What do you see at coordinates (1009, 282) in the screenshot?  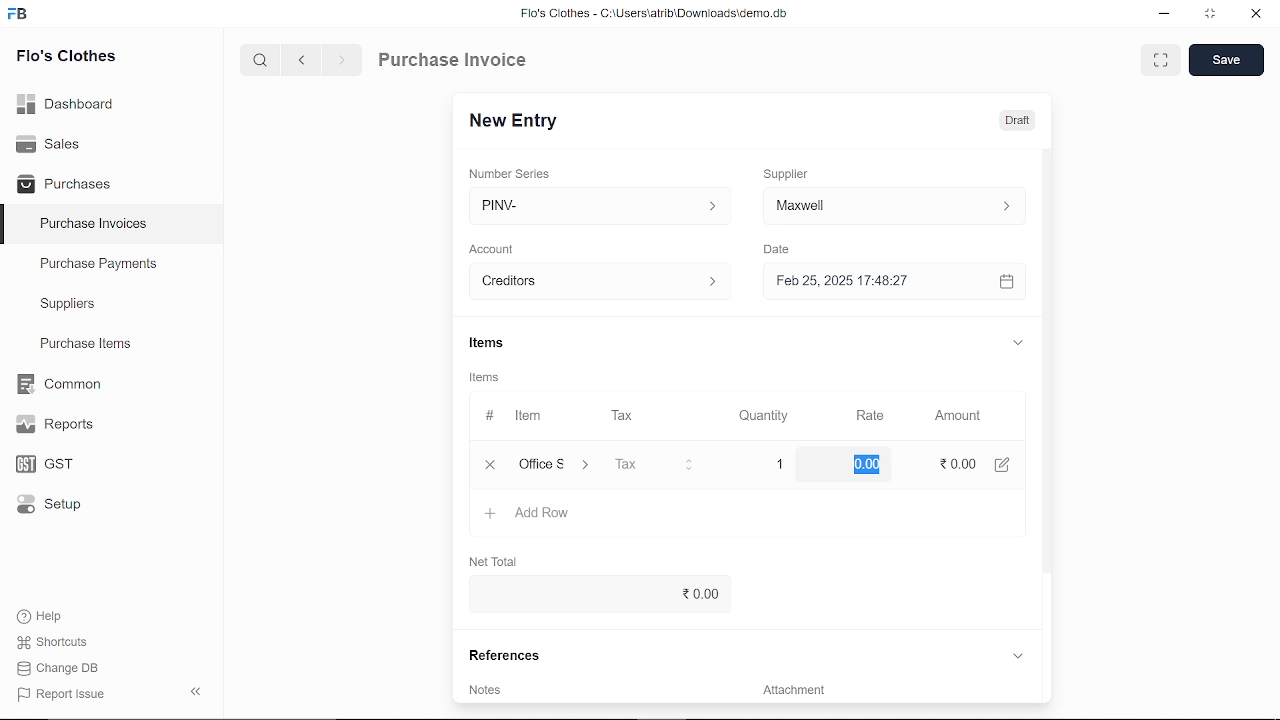 I see `calender` at bounding box center [1009, 282].